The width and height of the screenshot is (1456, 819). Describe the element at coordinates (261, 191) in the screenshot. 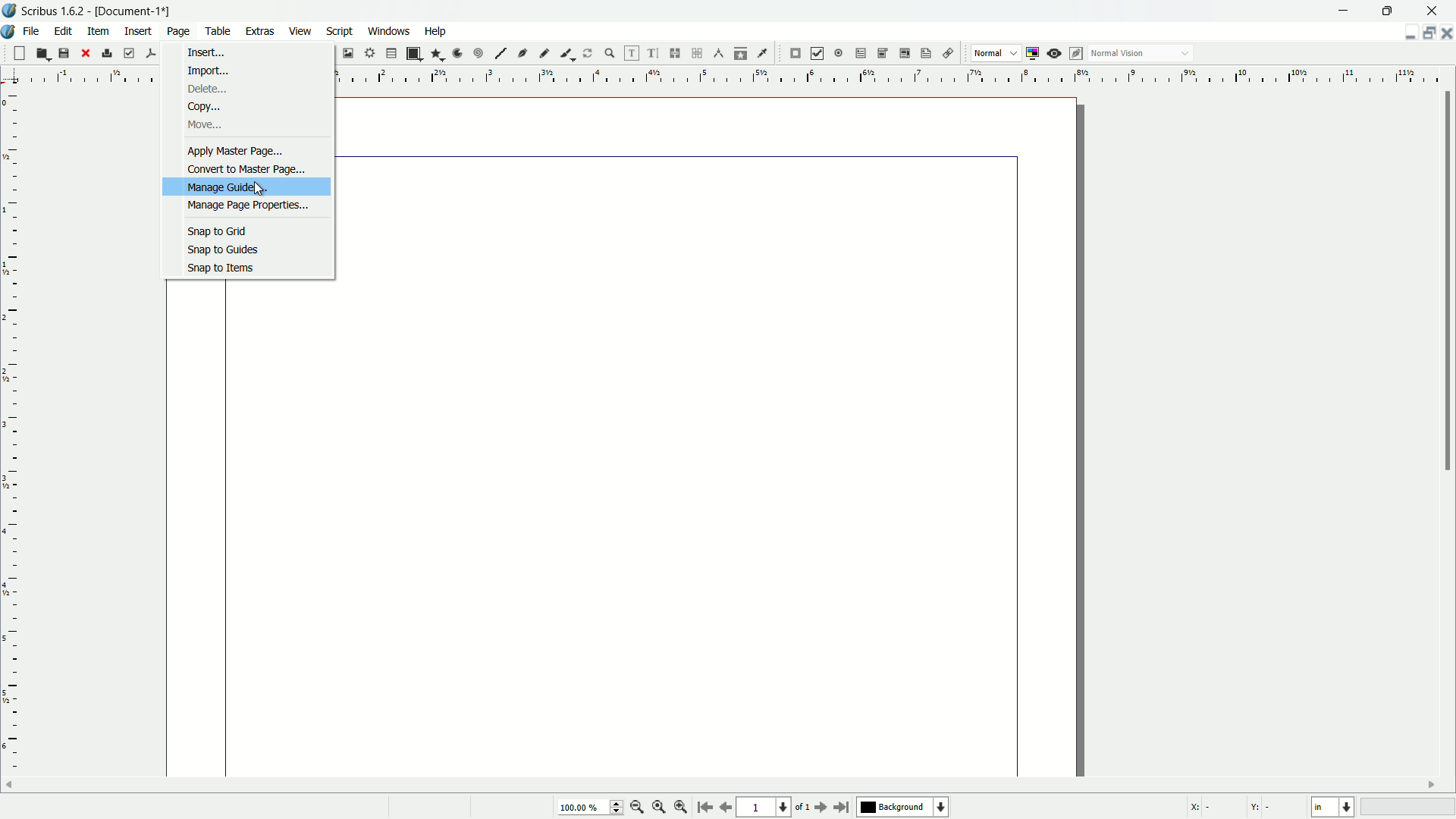

I see `cursor` at that location.